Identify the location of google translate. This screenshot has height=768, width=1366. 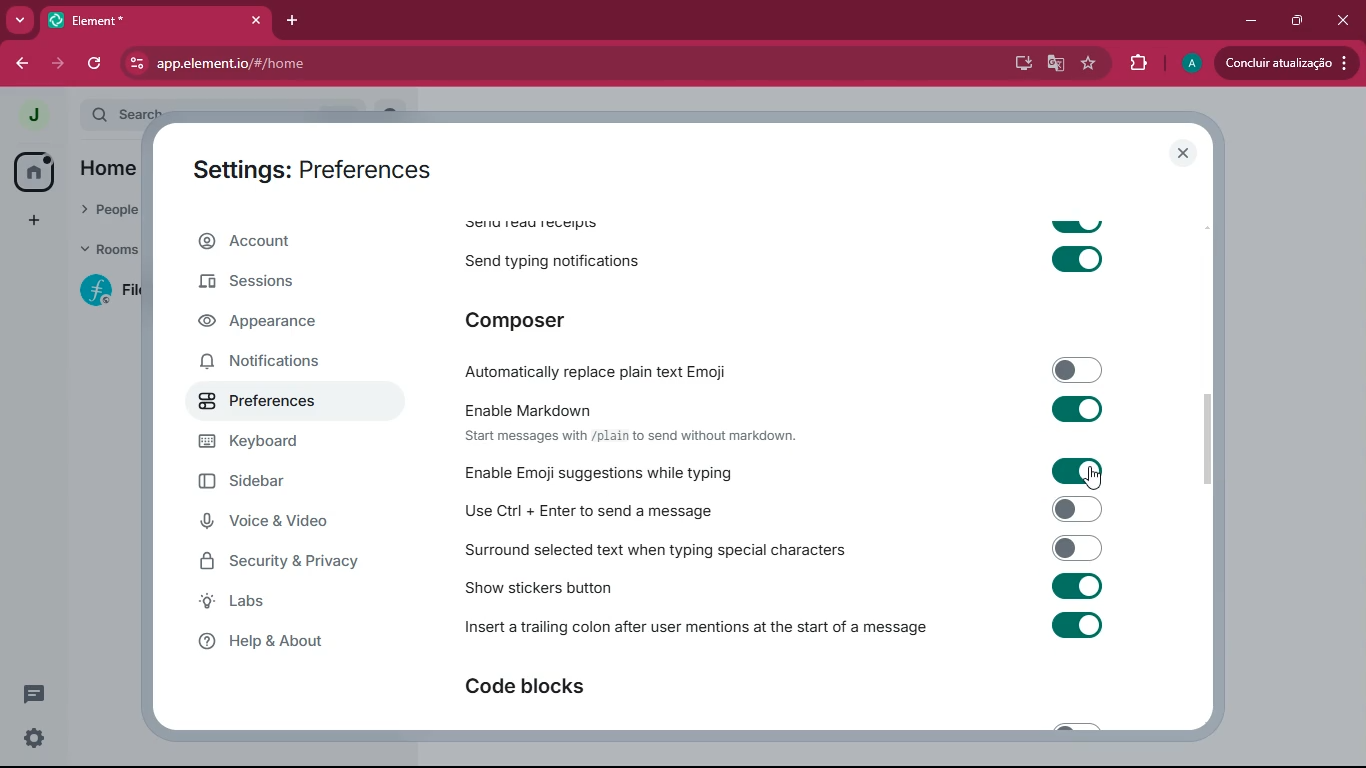
(1054, 63).